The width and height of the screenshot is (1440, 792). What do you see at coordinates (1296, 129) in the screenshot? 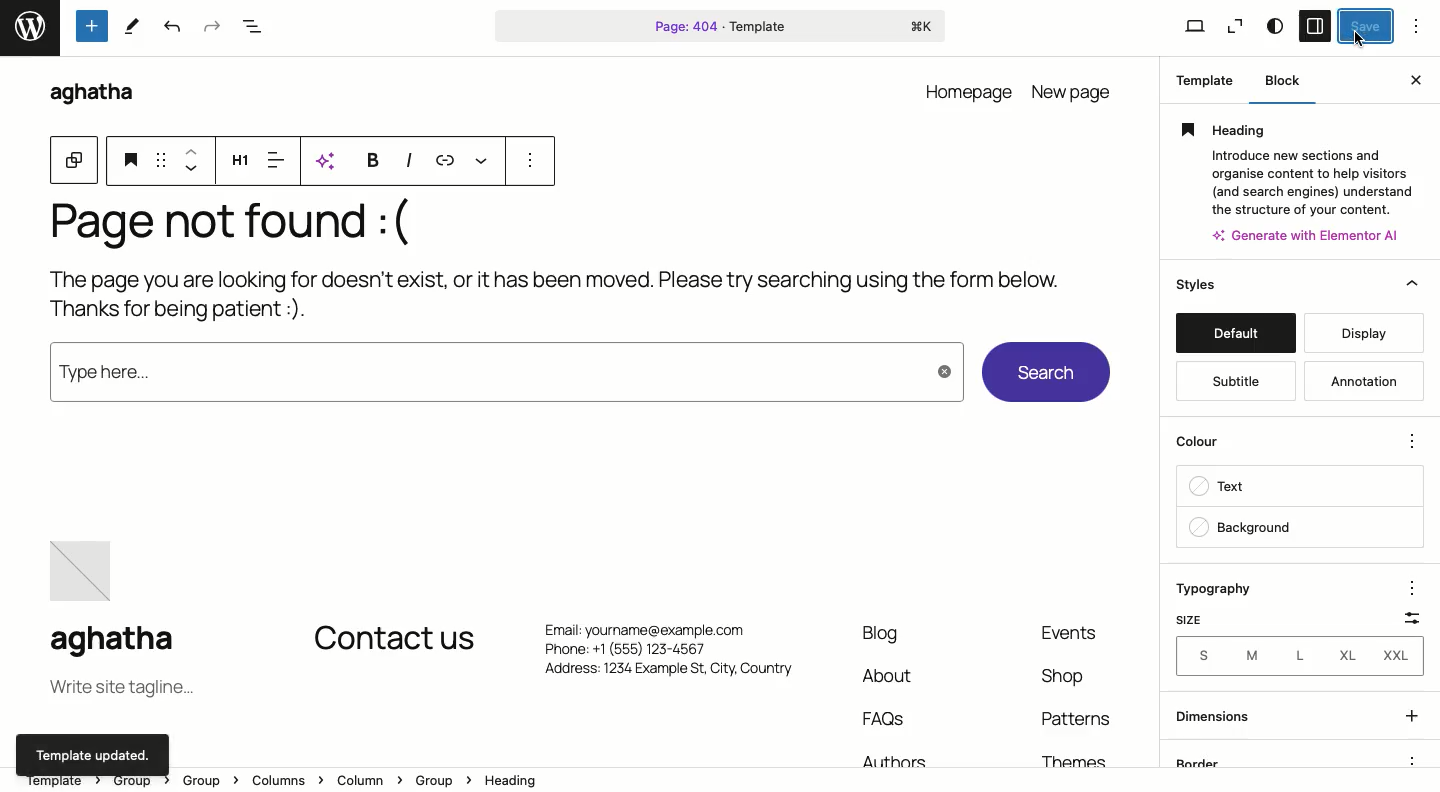
I see `Heading` at bounding box center [1296, 129].